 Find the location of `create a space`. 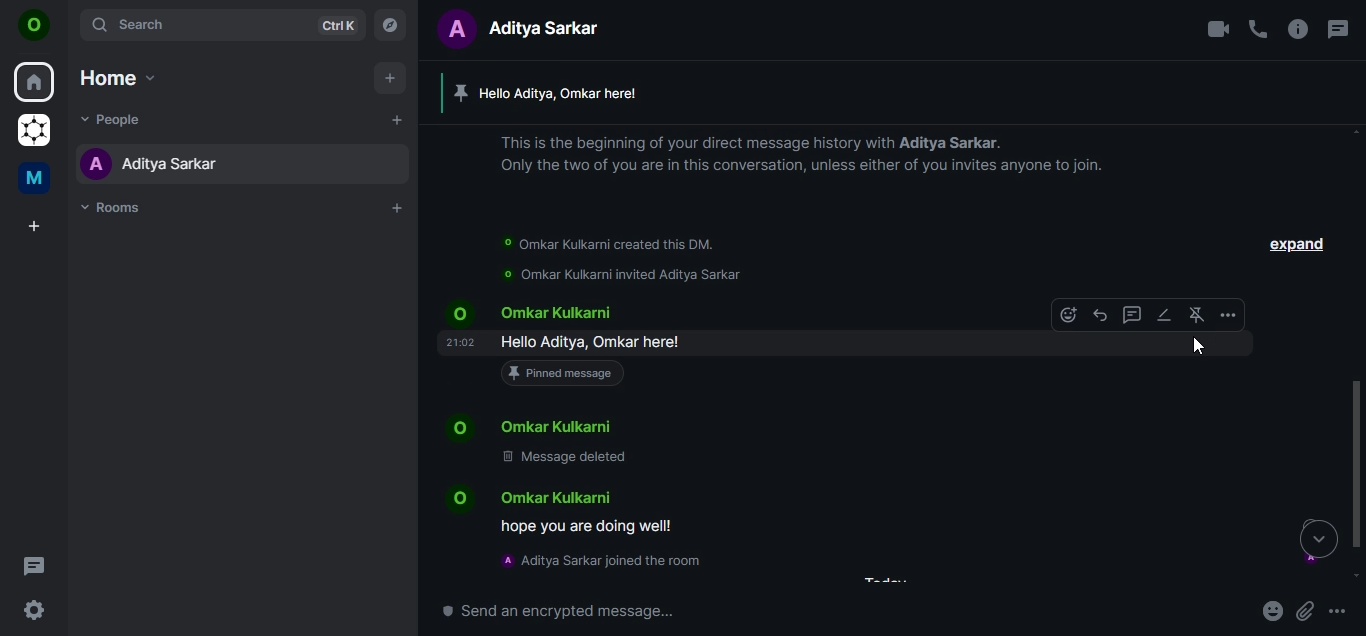

create a space is located at coordinates (35, 226).